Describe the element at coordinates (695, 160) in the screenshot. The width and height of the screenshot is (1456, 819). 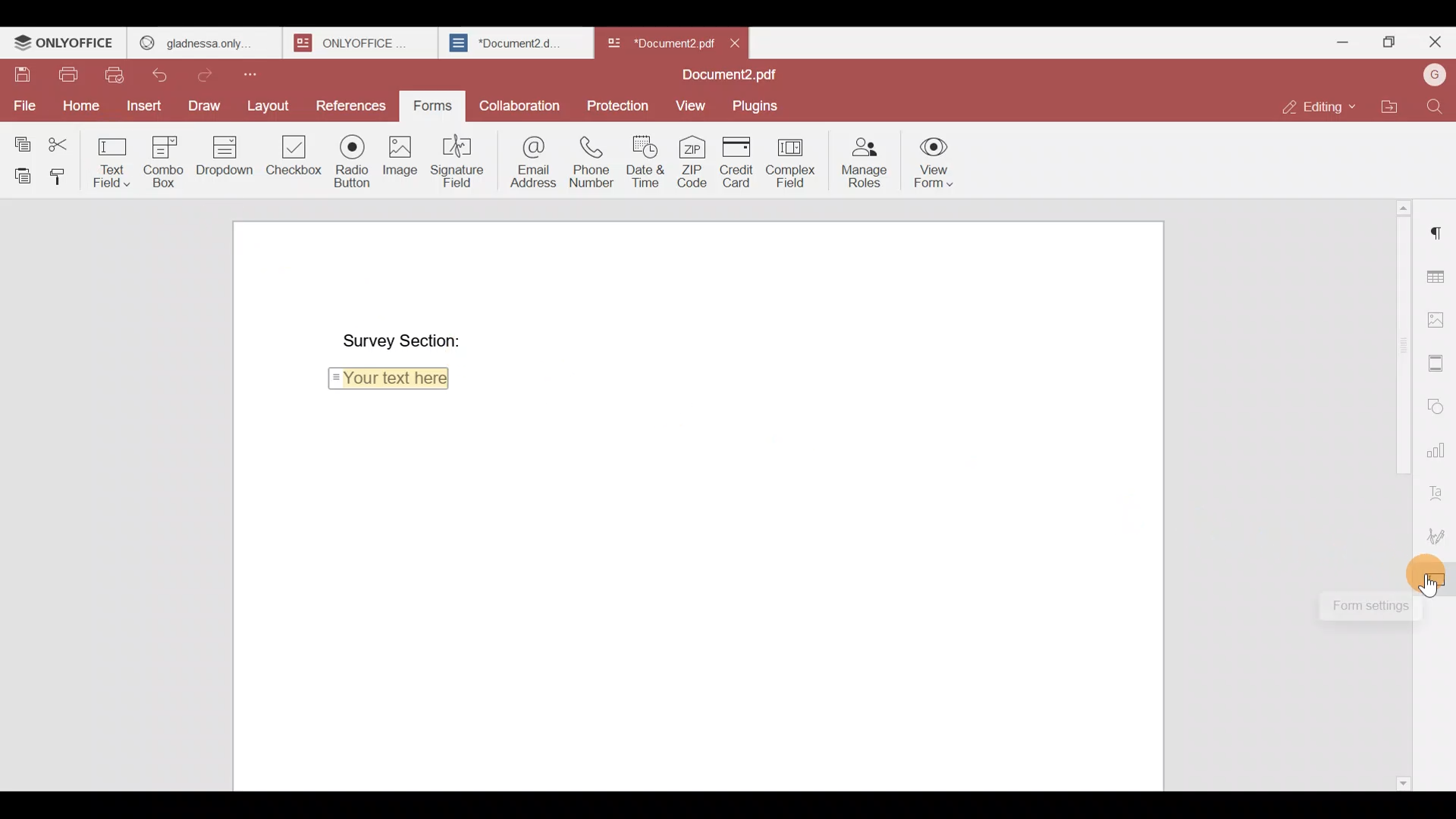
I see `ZIP code` at that location.